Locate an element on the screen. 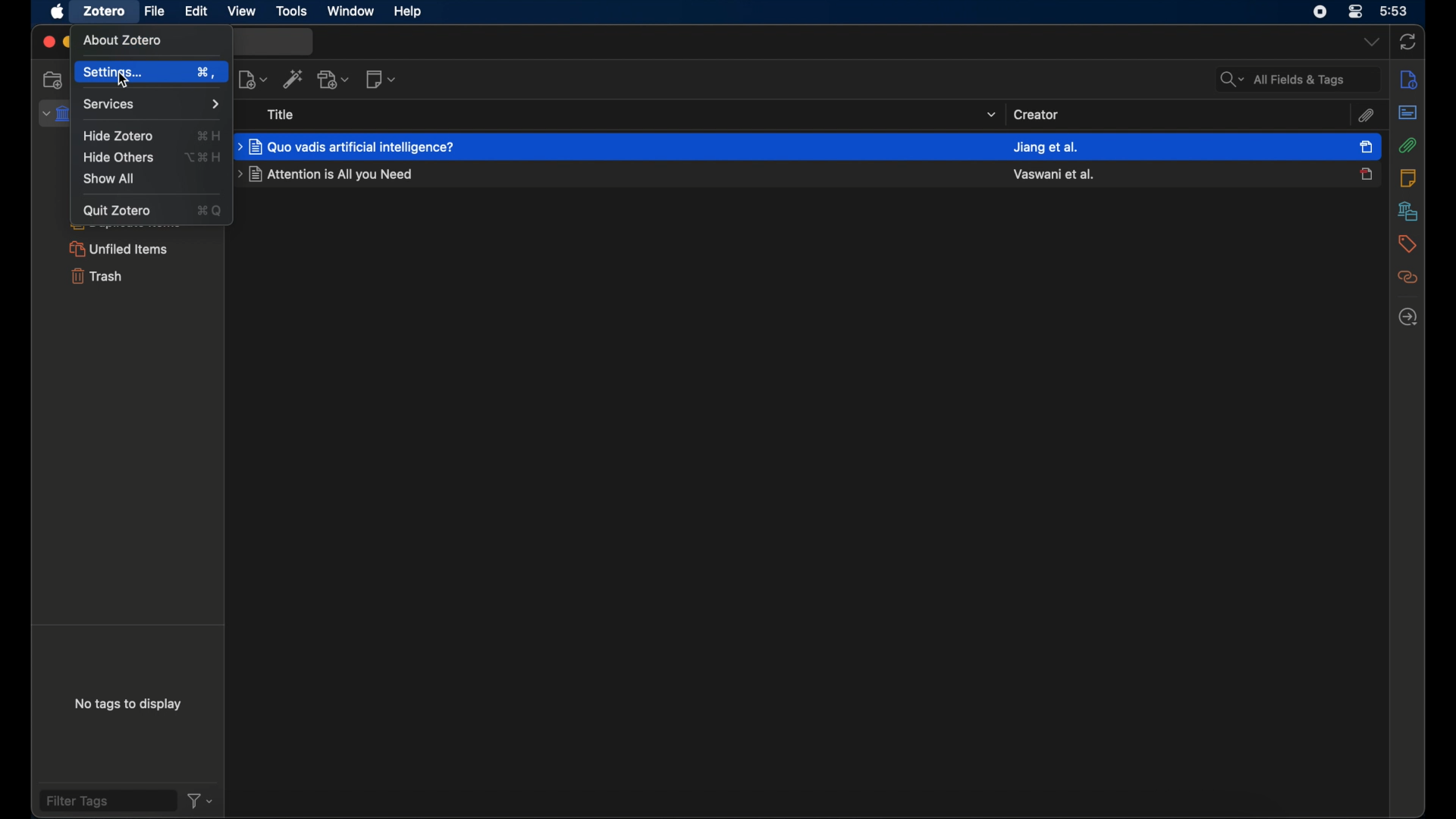  services menu is located at coordinates (152, 105).